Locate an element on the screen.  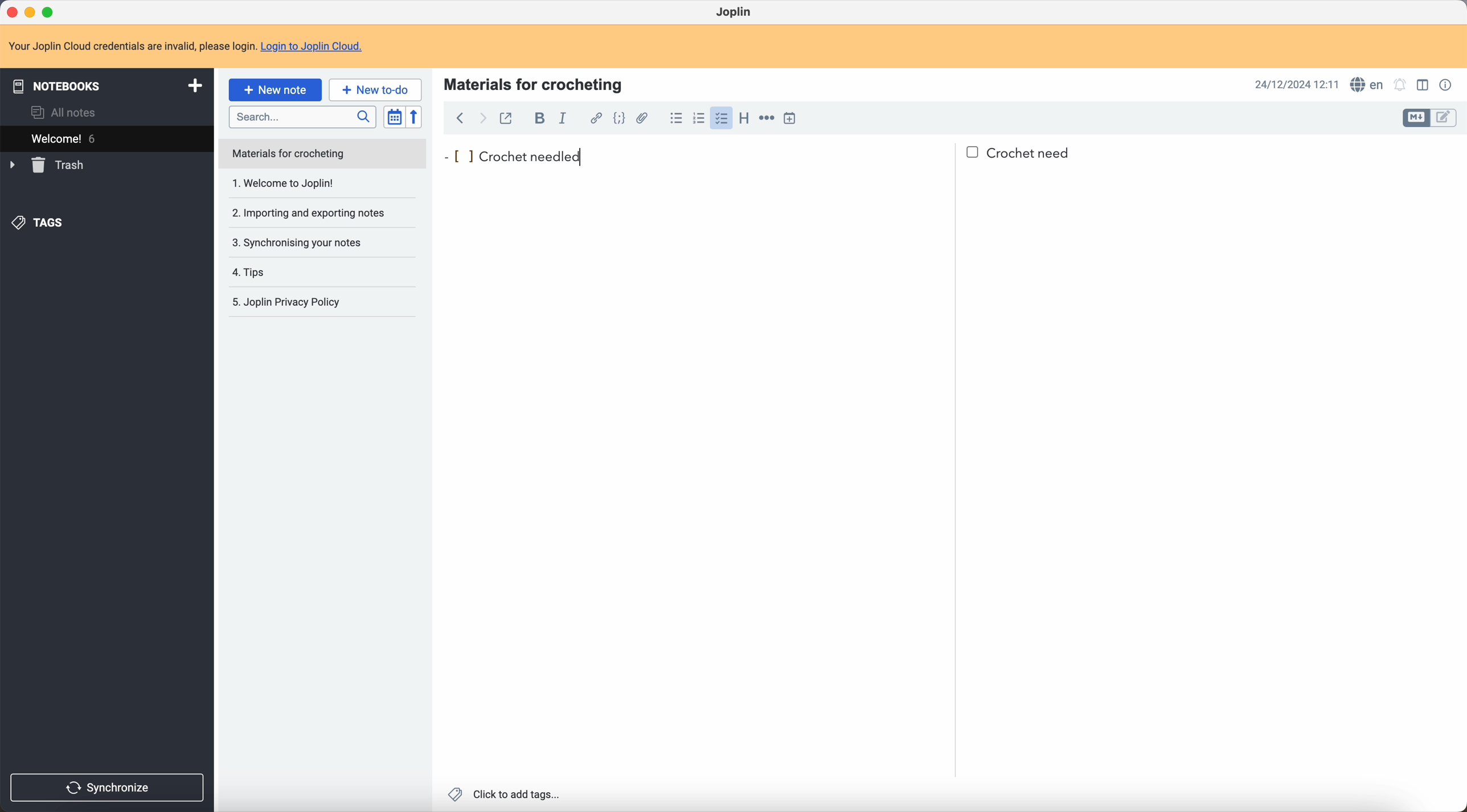
toggle sort order field is located at coordinates (394, 117).